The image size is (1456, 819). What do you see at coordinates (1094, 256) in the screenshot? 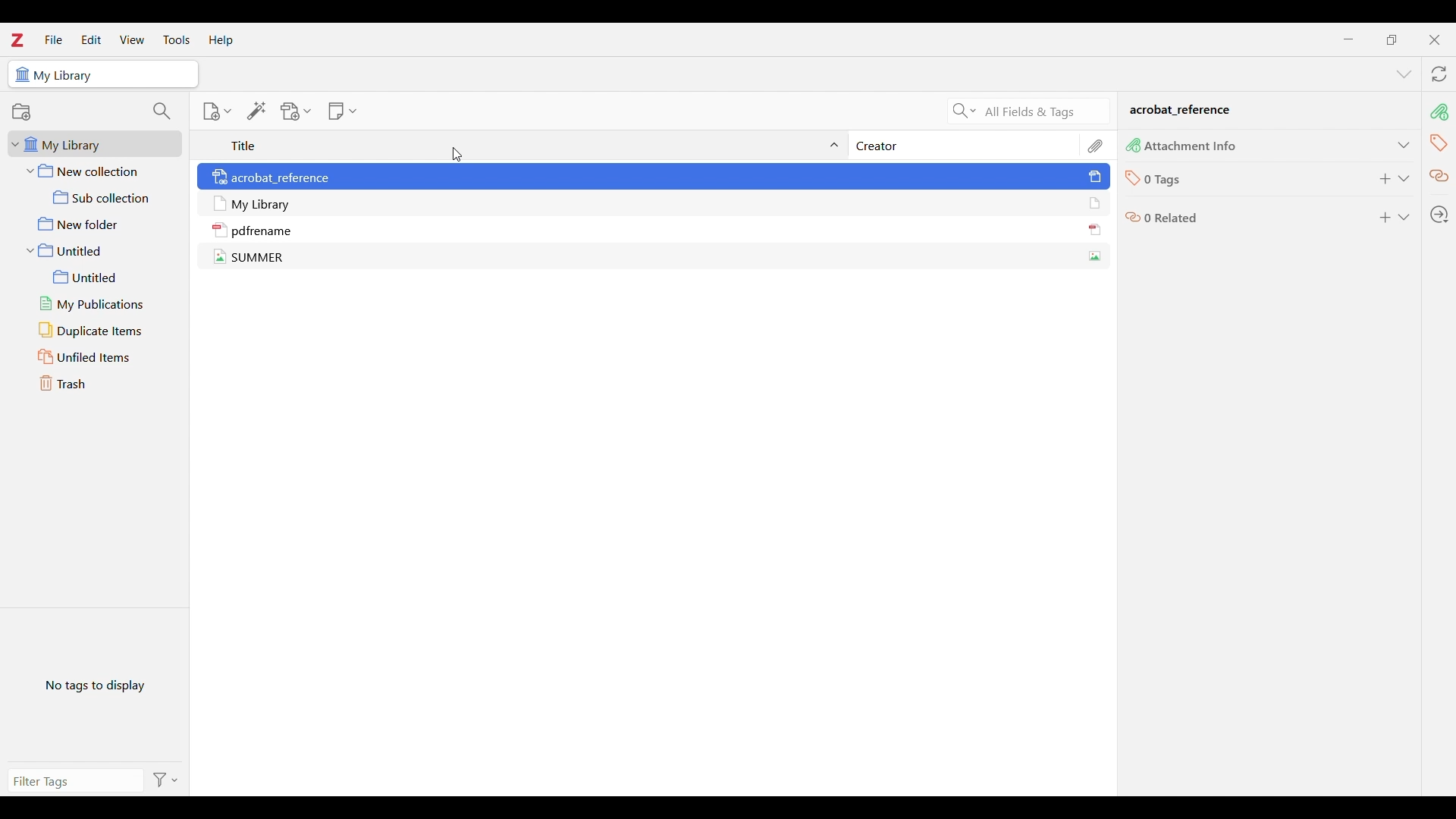
I see `icon` at bounding box center [1094, 256].